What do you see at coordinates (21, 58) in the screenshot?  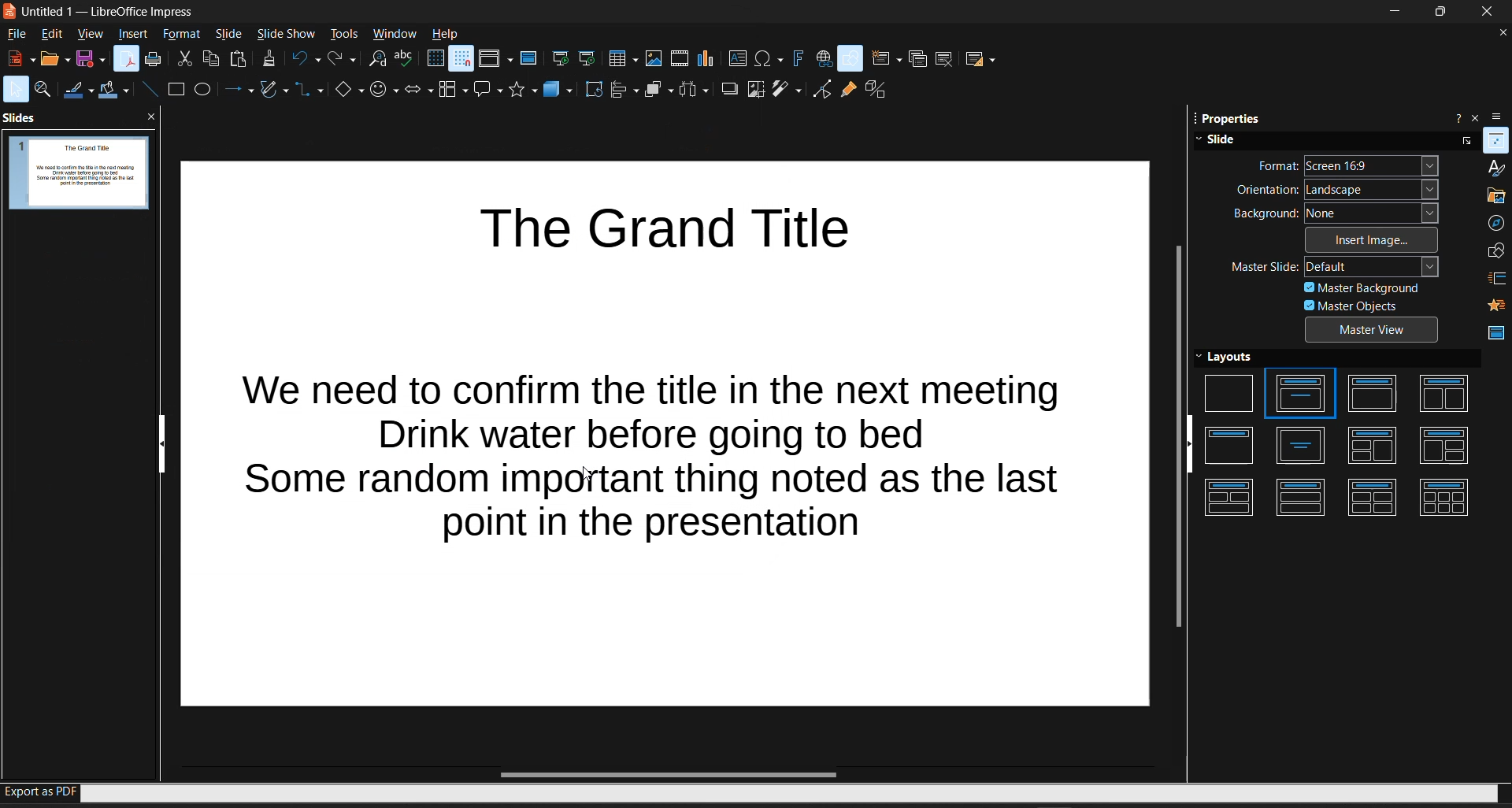 I see `new` at bounding box center [21, 58].